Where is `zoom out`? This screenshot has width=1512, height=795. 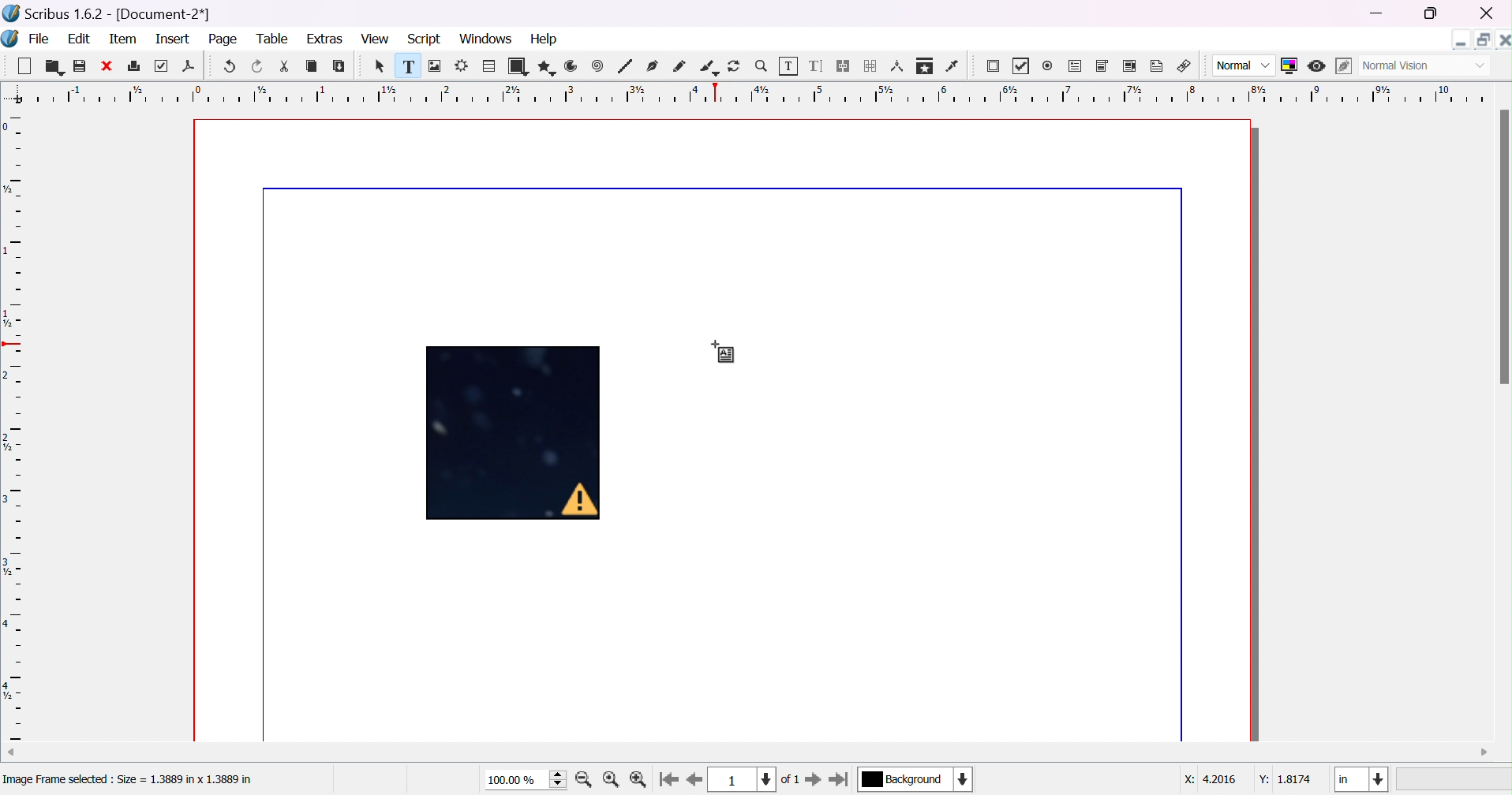 zoom out is located at coordinates (640, 780).